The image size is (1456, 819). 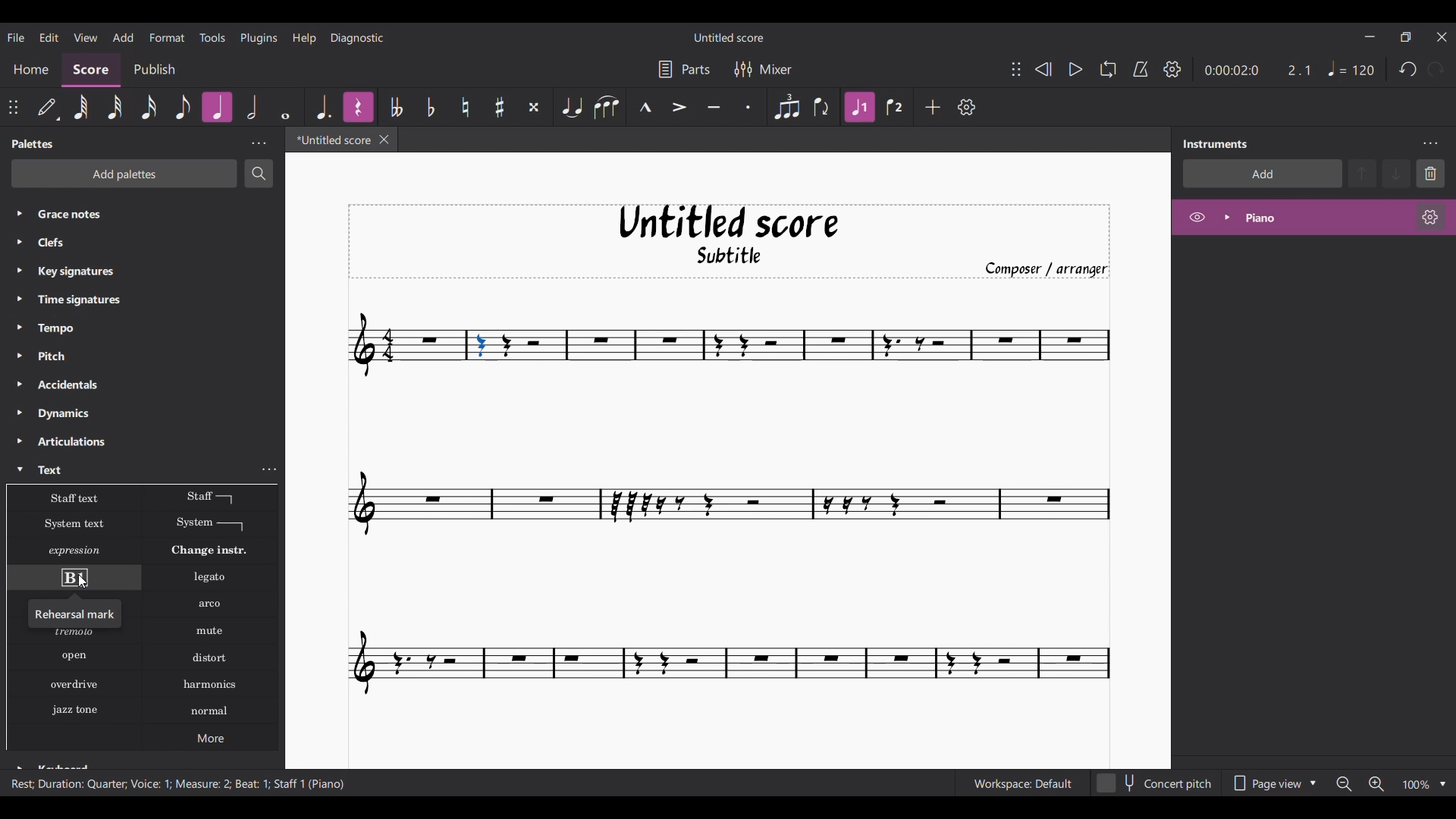 What do you see at coordinates (324, 108) in the screenshot?
I see `Augmentation dot` at bounding box center [324, 108].